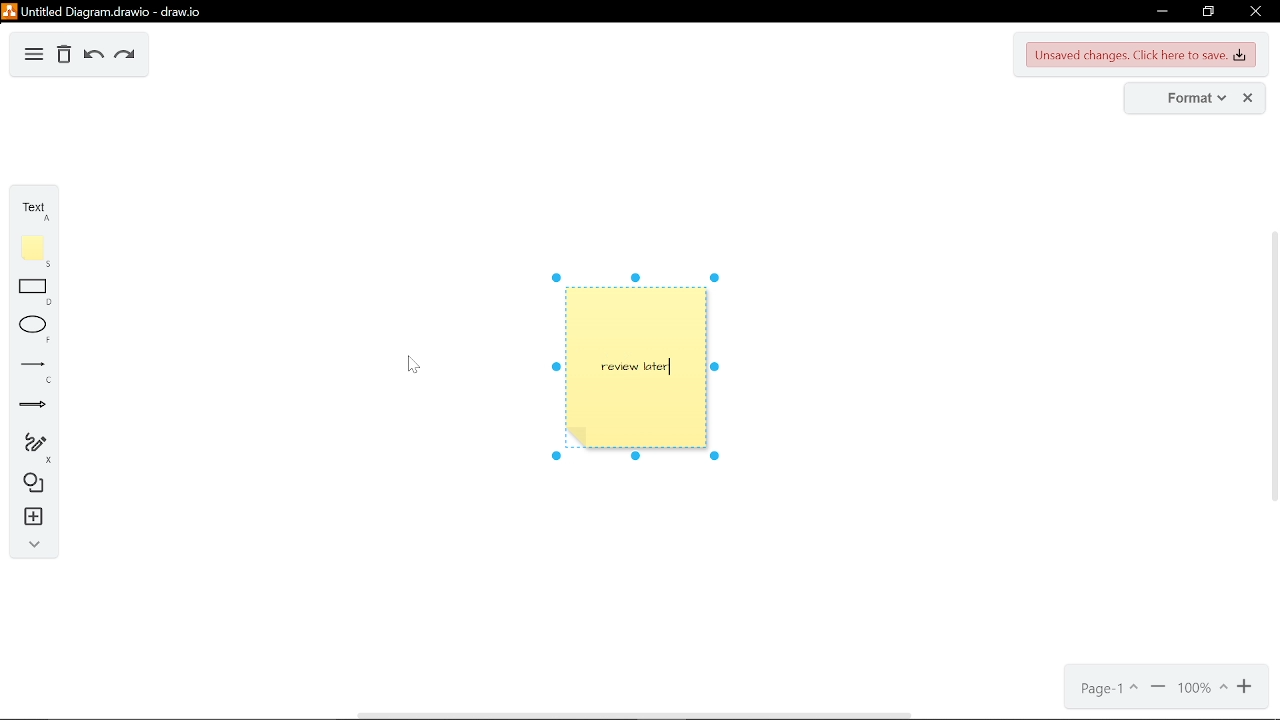 The height and width of the screenshot is (720, 1280). Describe the element at coordinates (1209, 11) in the screenshot. I see `restore down` at that location.